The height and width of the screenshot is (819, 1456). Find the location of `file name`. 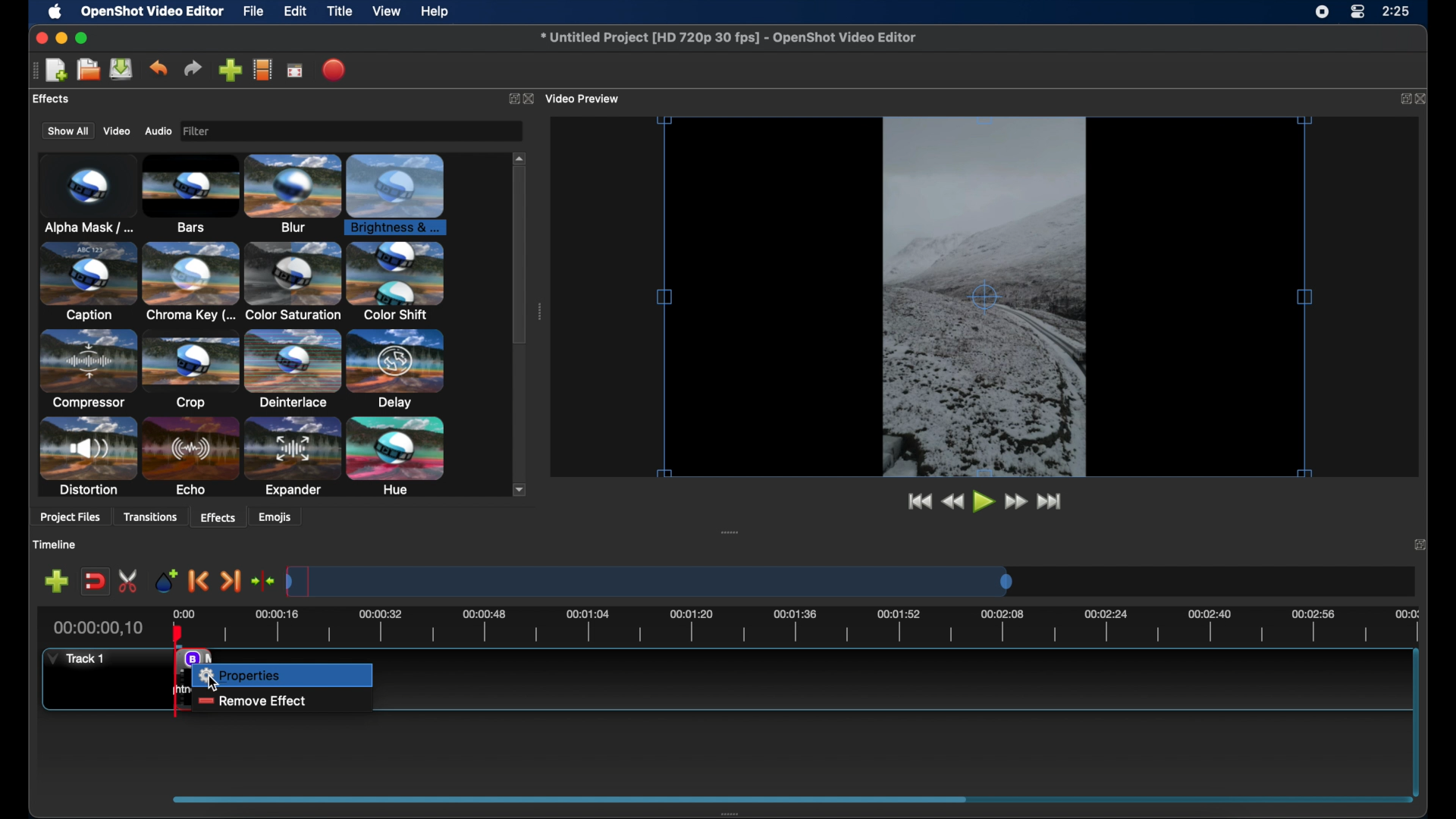

file name is located at coordinates (728, 38).